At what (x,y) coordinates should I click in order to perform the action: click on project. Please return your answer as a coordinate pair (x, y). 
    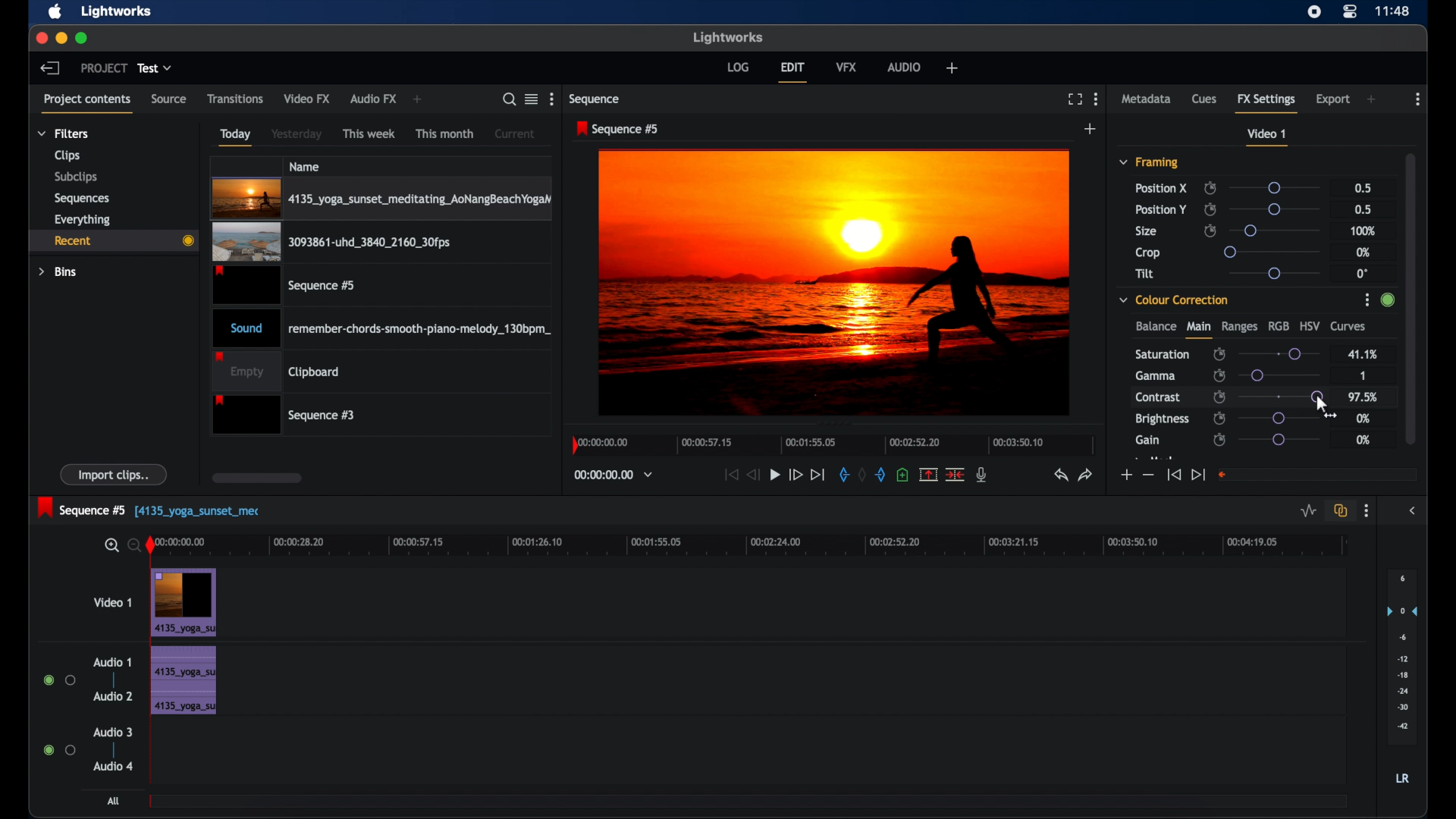
    Looking at the image, I should click on (104, 68).